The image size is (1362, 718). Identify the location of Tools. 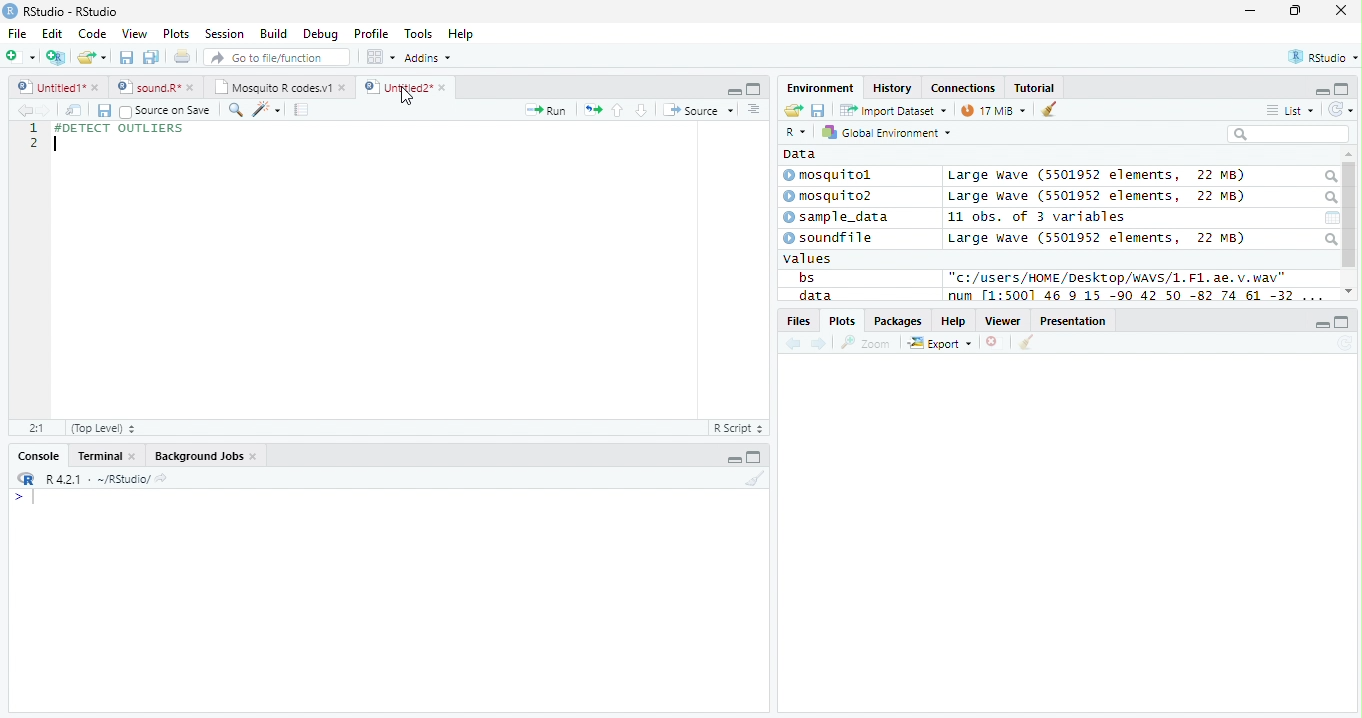
(418, 35).